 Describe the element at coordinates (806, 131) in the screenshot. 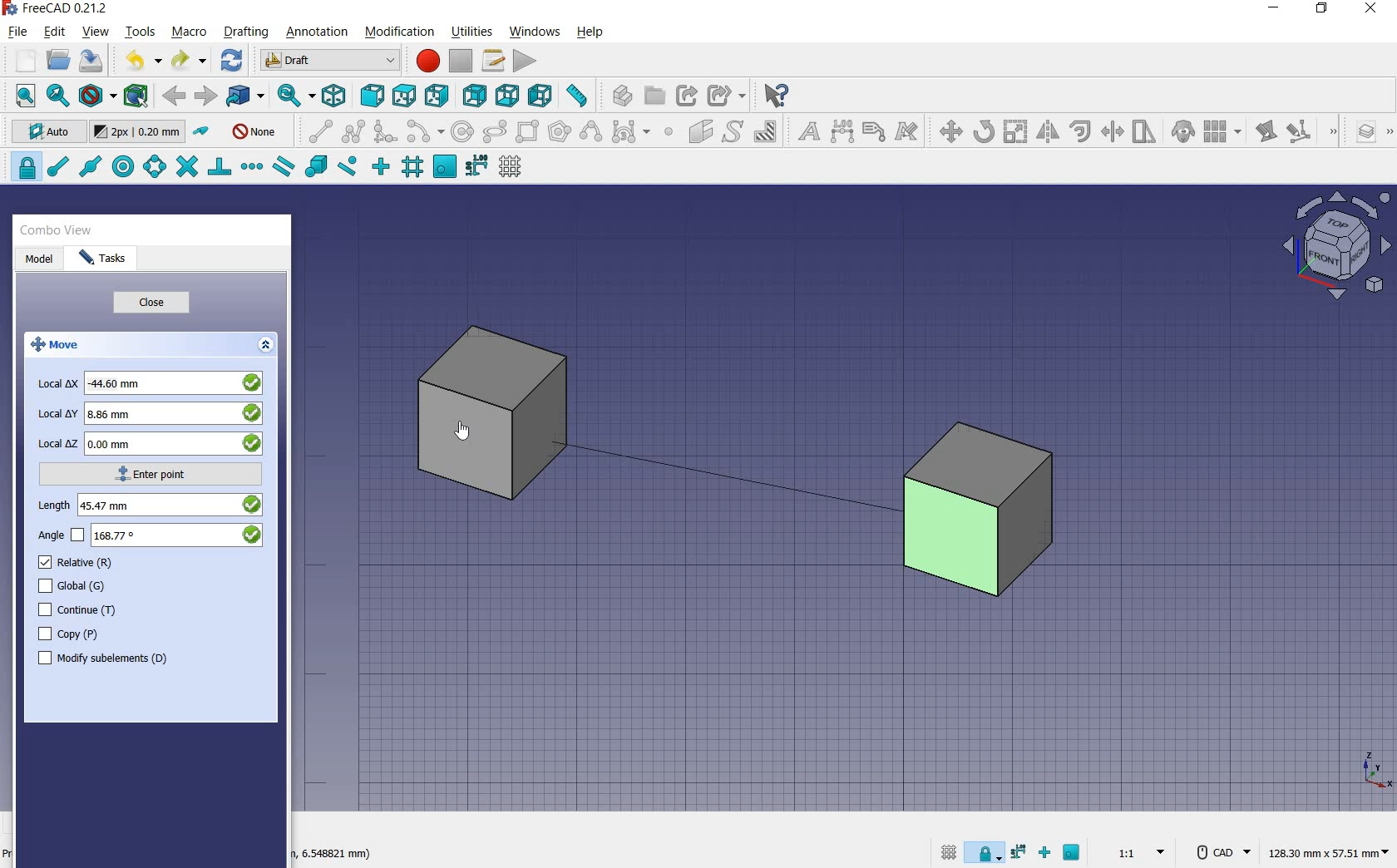

I see `text` at that location.